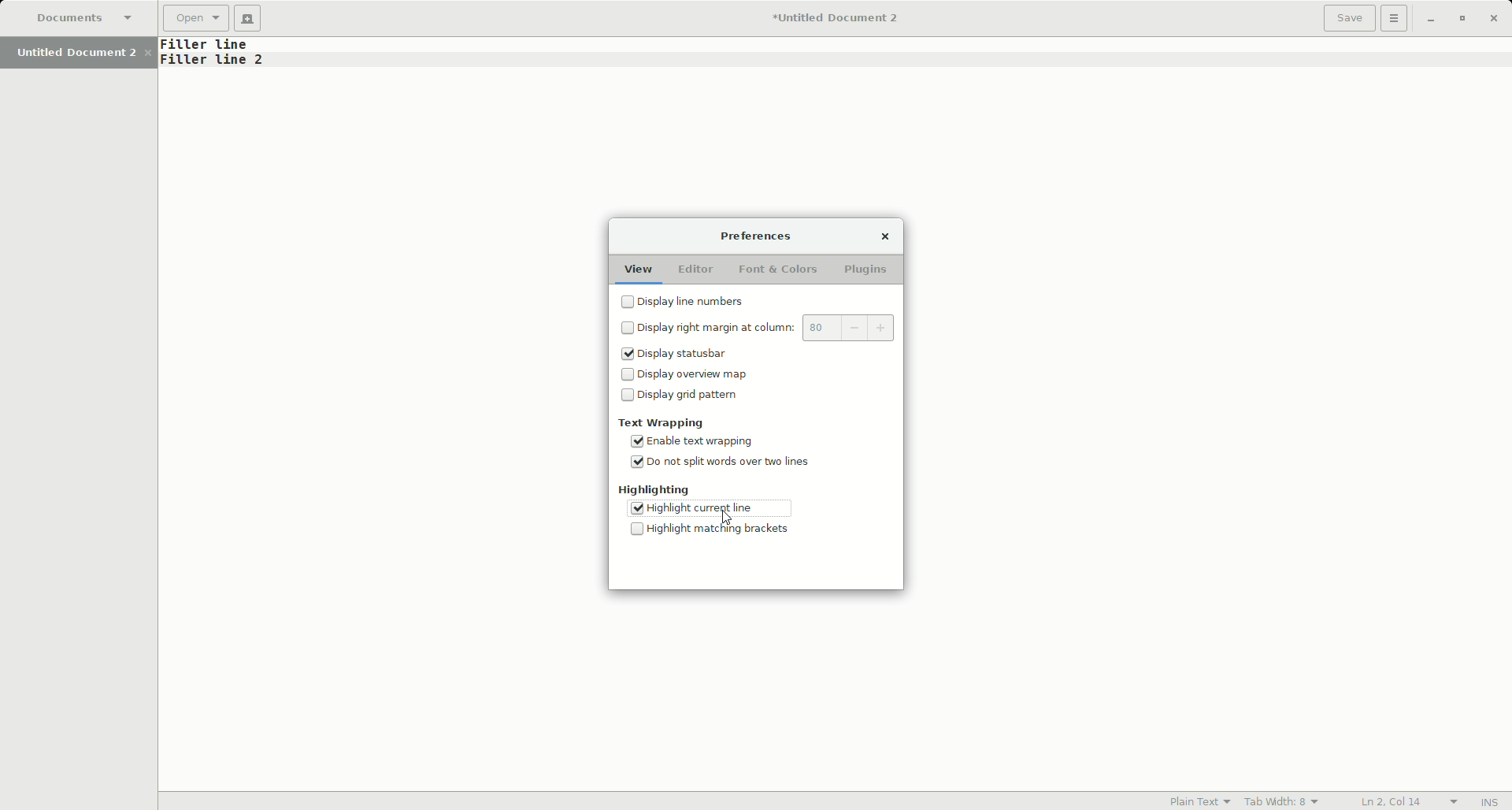 The width and height of the screenshot is (1512, 810). I want to click on Restore, so click(1460, 19).